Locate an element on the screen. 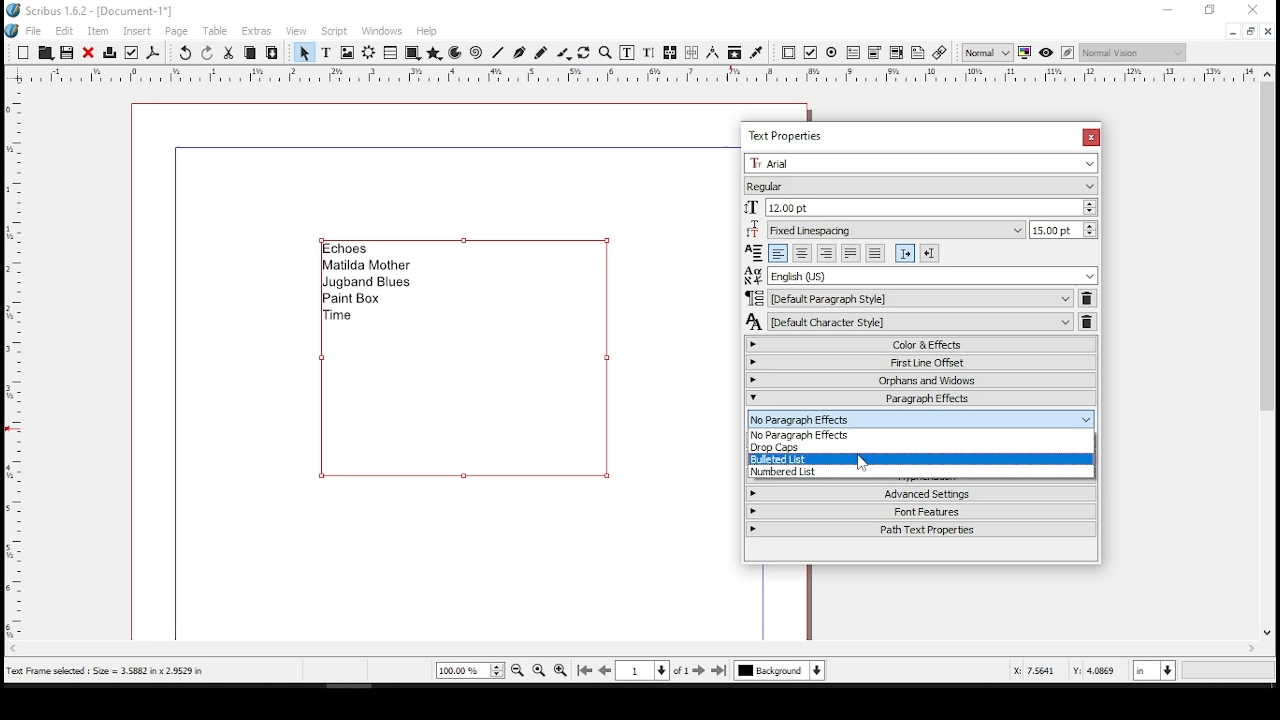 Image resolution: width=1280 pixels, height=720 pixels. text annotation is located at coordinates (918, 52).